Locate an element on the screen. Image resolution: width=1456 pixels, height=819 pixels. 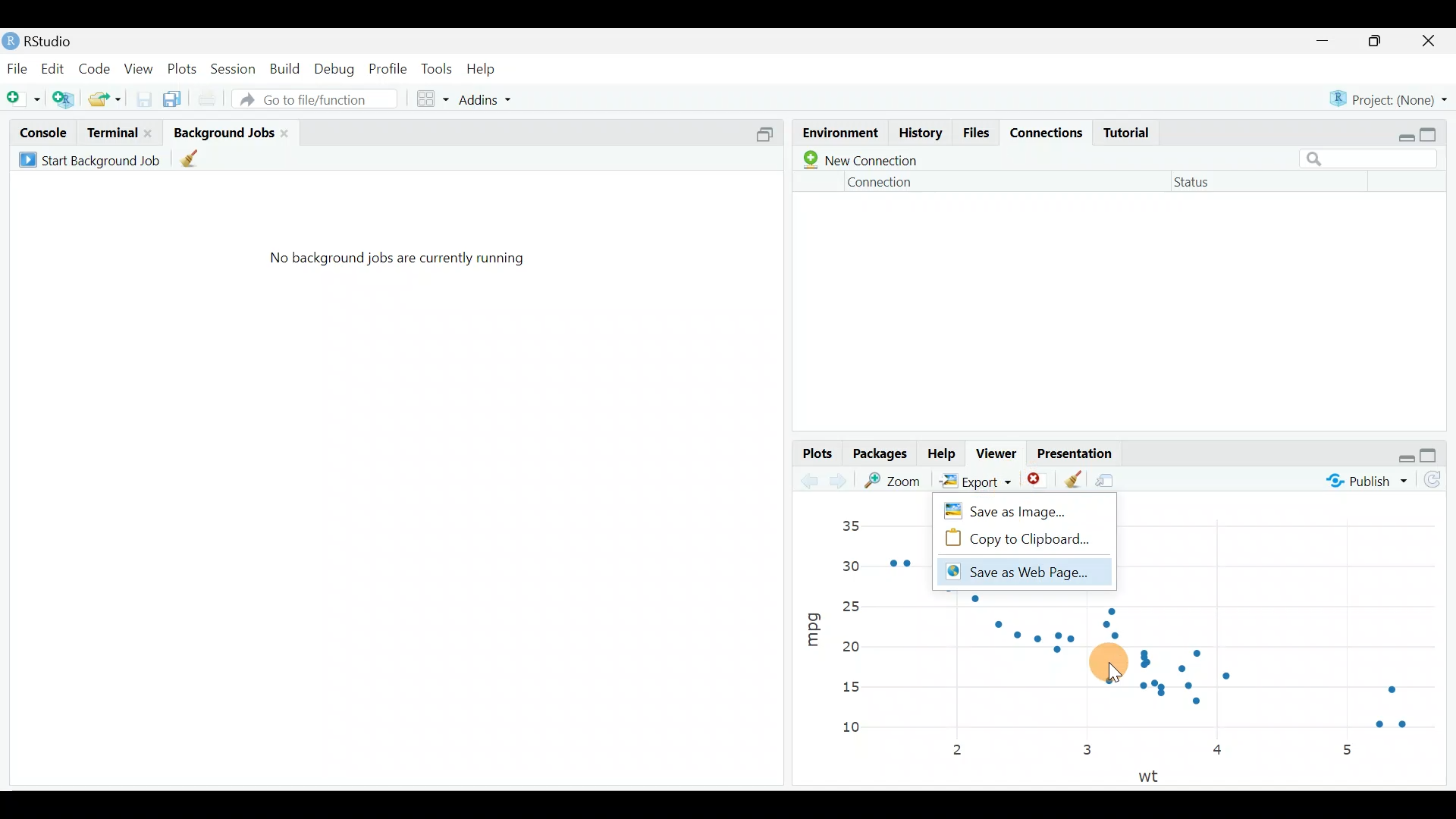
Export is located at coordinates (973, 480).